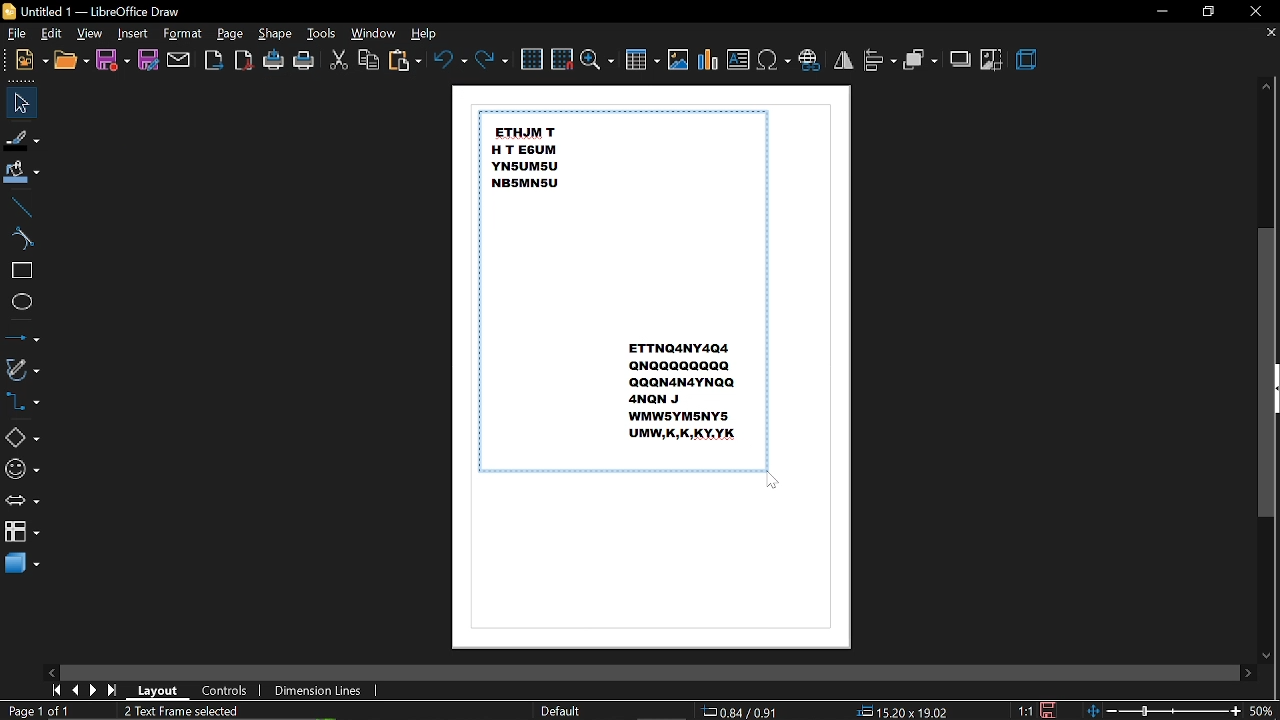 The width and height of the screenshot is (1280, 720). Describe the element at coordinates (18, 34) in the screenshot. I see `file` at that location.